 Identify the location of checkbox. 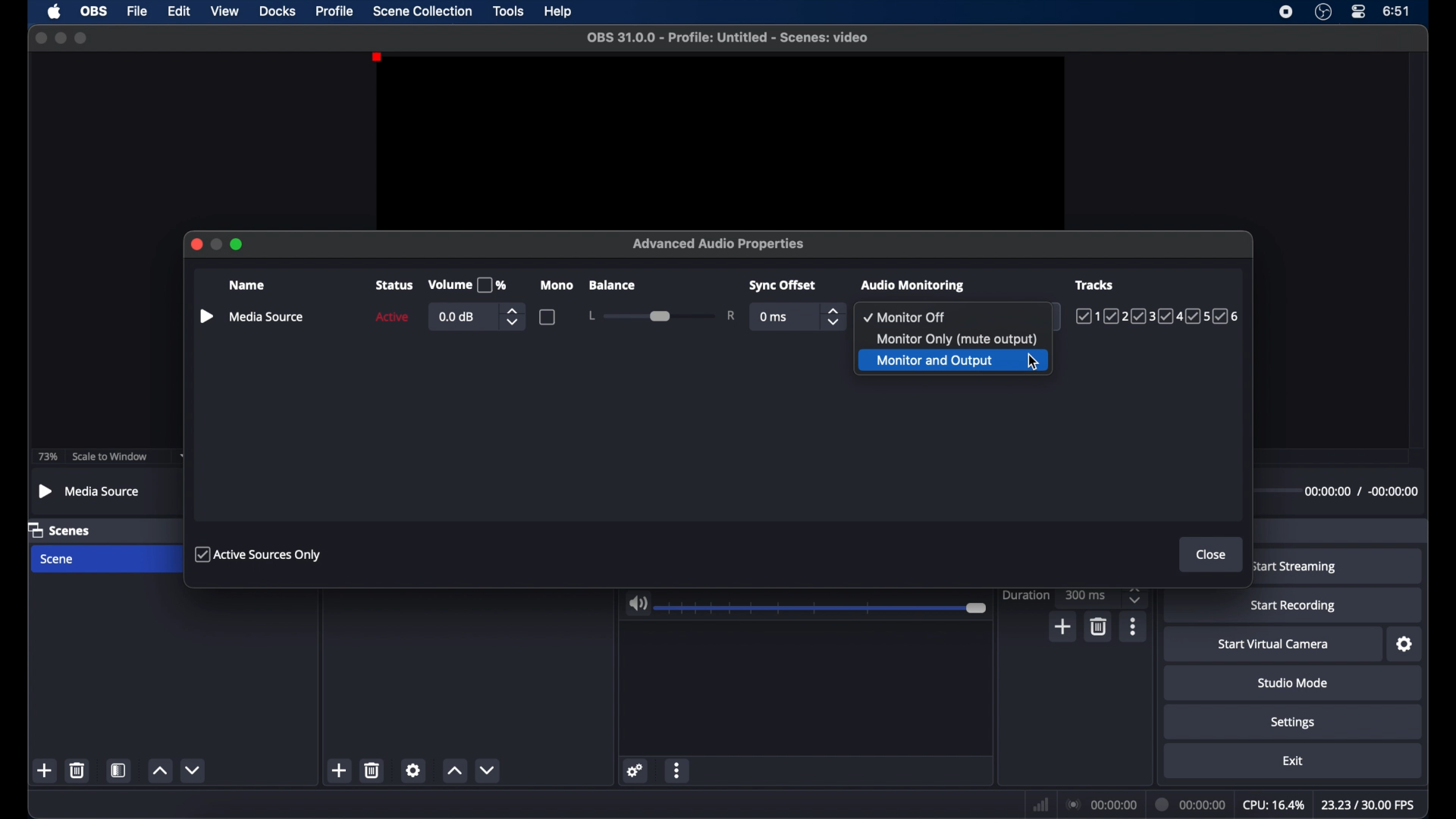
(548, 317).